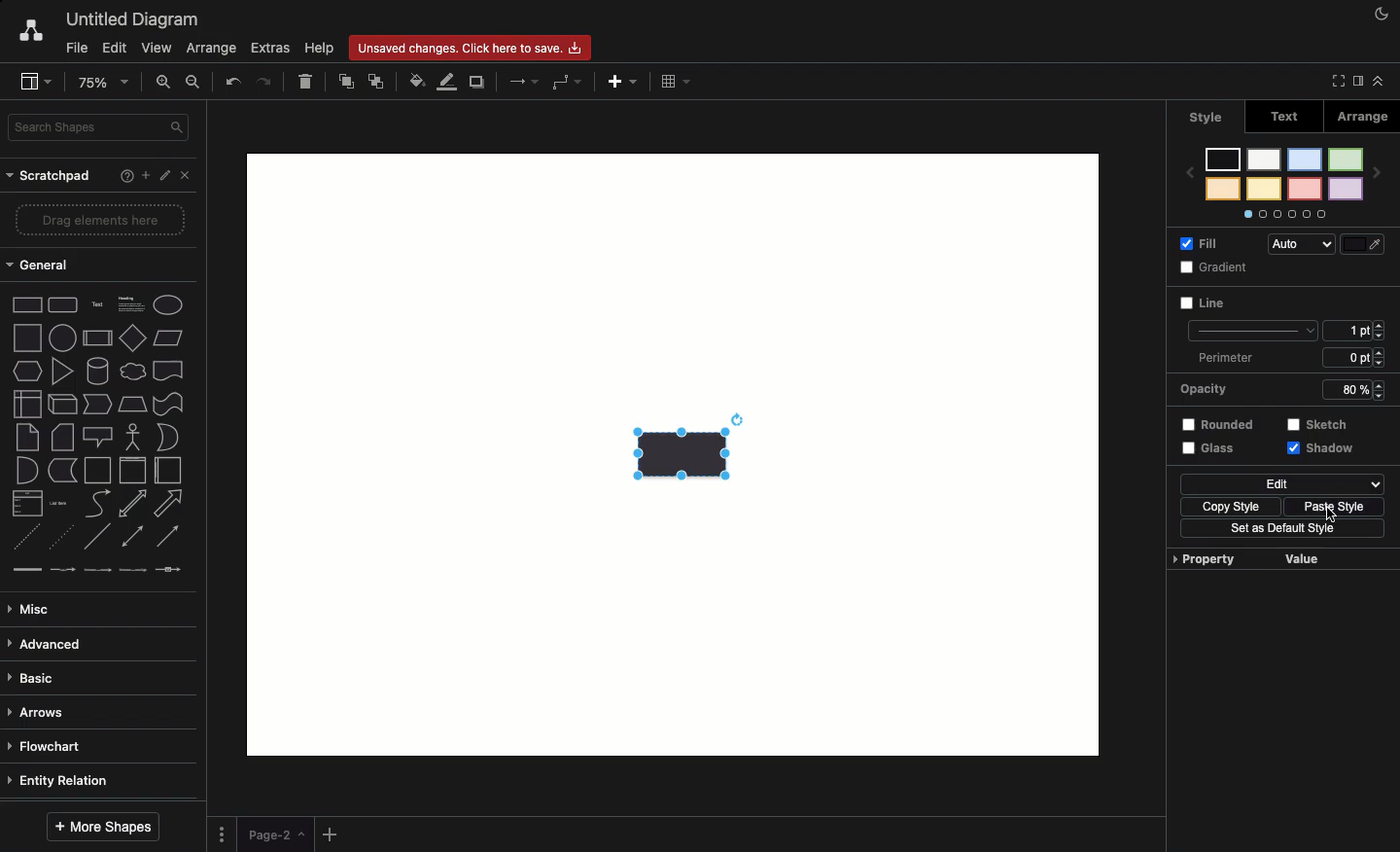 The height and width of the screenshot is (852, 1400). What do you see at coordinates (1366, 243) in the screenshot?
I see `Fill` at bounding box center [1366, 243].